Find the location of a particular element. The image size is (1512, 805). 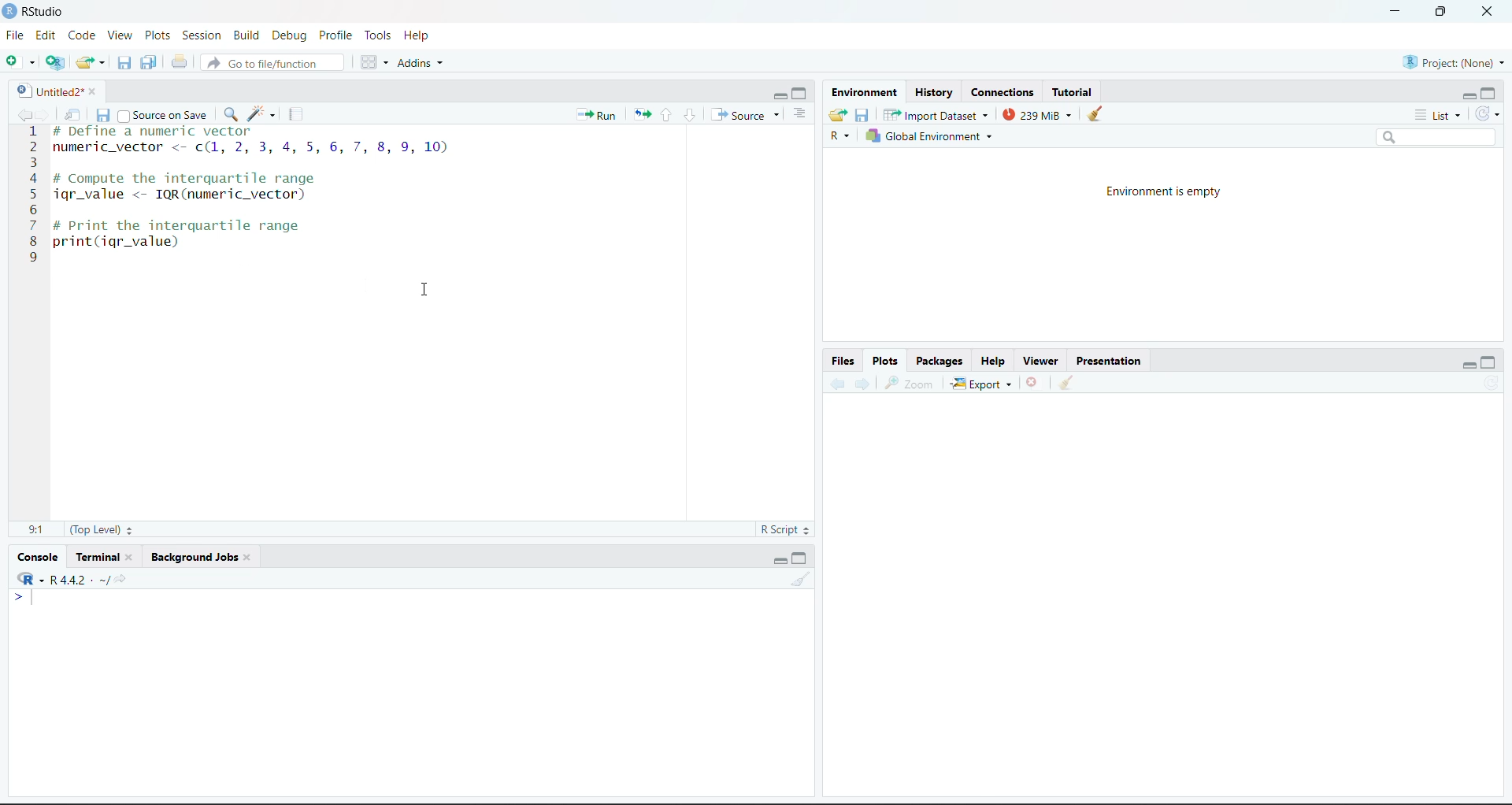

Save workspace as is located at coordinates (863, 117).